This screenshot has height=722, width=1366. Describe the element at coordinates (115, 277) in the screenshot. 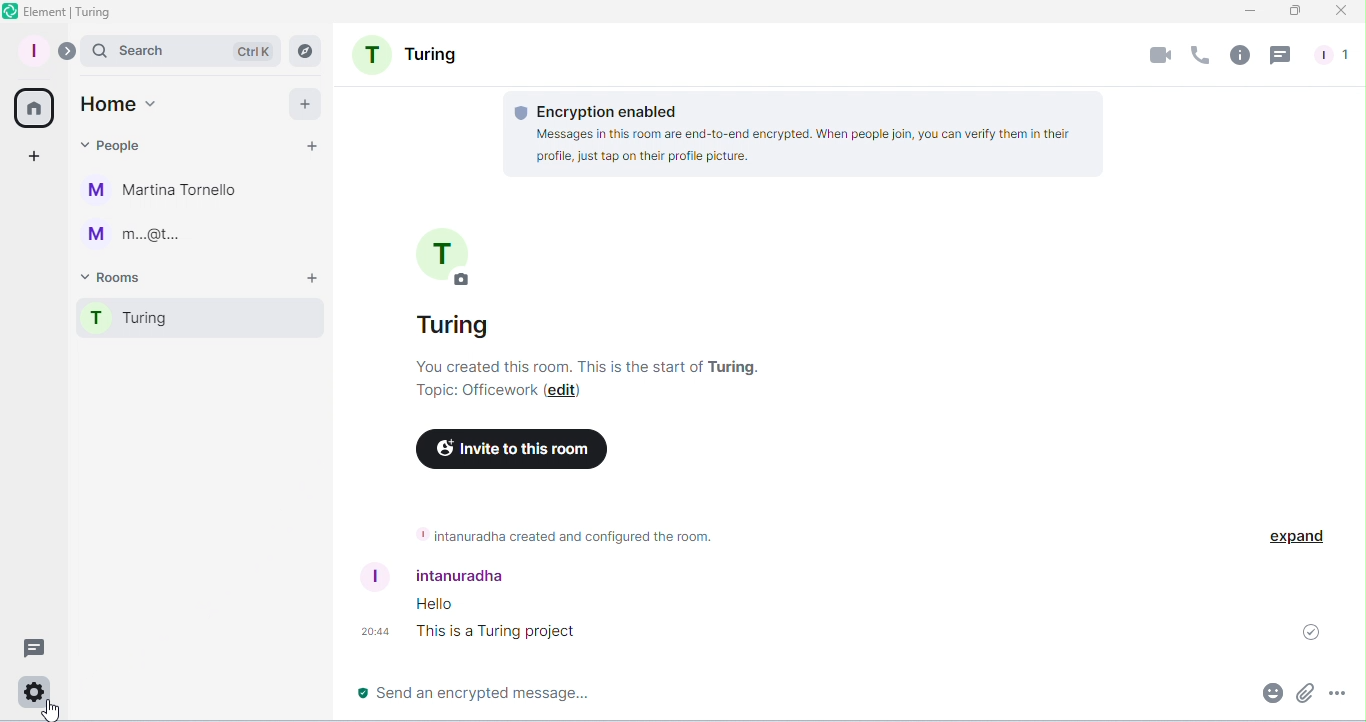

I see `Rooms` at that location.